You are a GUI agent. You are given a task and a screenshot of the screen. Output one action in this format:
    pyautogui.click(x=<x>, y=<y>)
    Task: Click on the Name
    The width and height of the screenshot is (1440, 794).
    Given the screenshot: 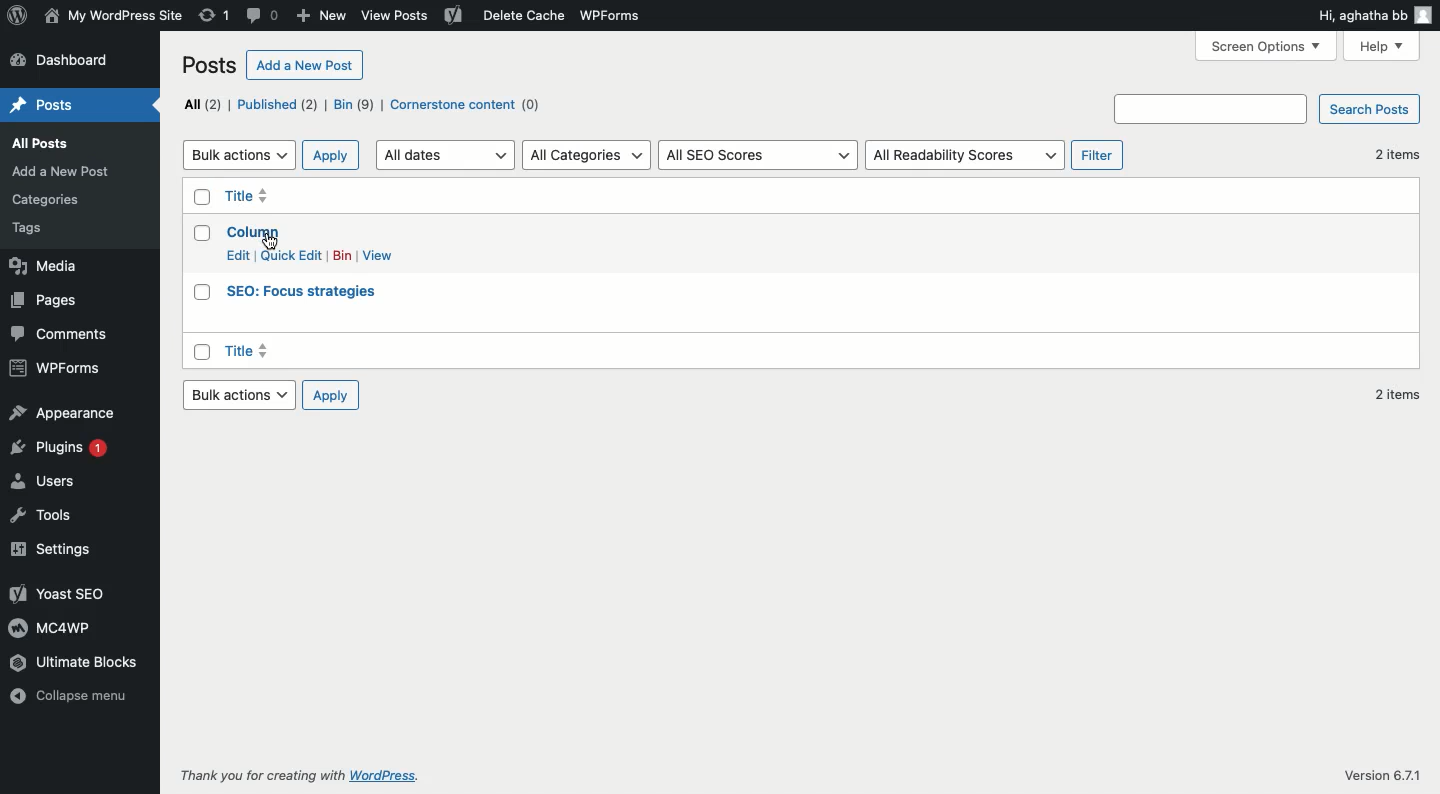 What is the action you would take?
    pyautogui.click(x=113, y=17)
    